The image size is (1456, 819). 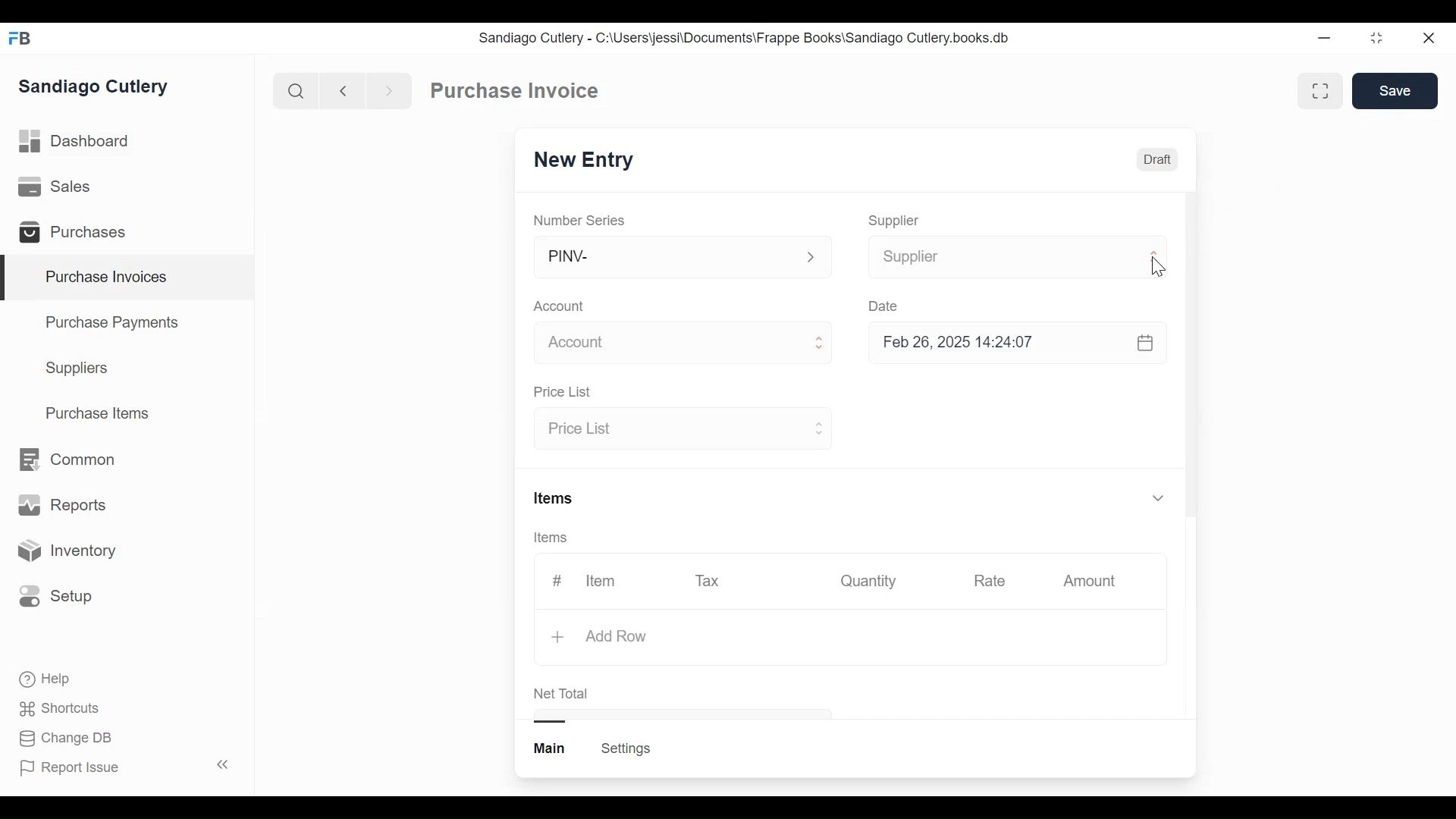 I want to click on Purchase Items, so click(x=98, y=415).